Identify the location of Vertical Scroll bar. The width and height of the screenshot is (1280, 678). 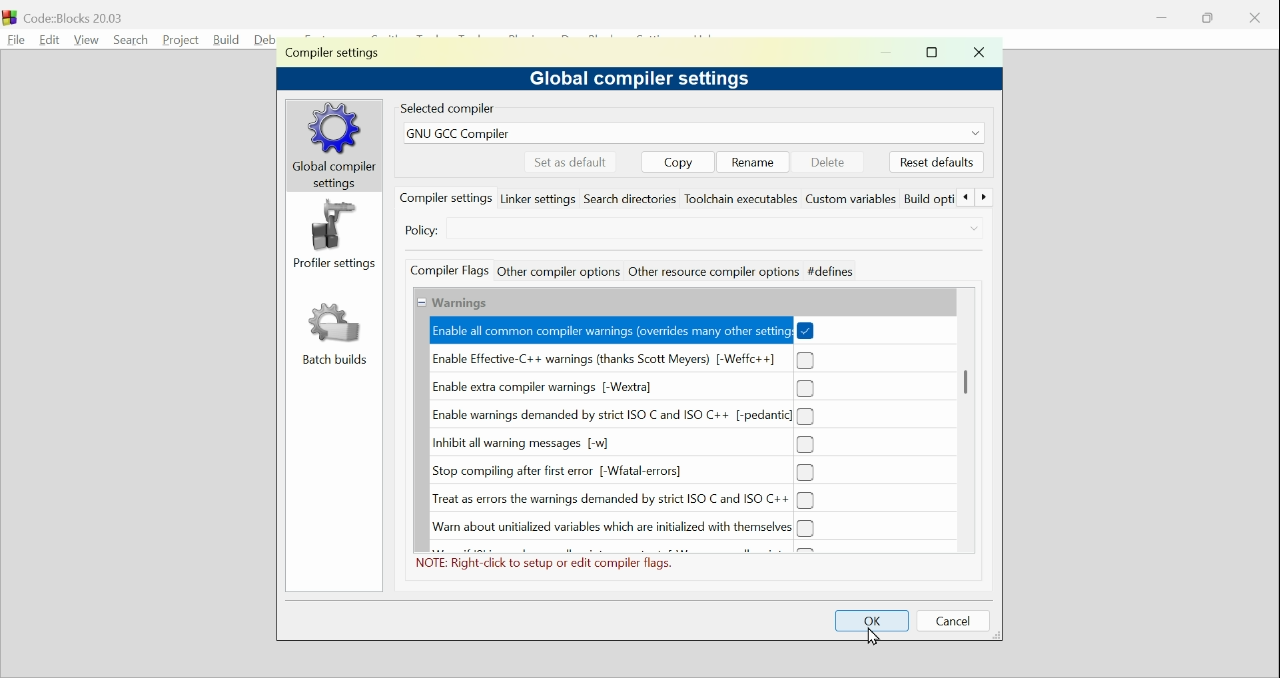
(970, 382).